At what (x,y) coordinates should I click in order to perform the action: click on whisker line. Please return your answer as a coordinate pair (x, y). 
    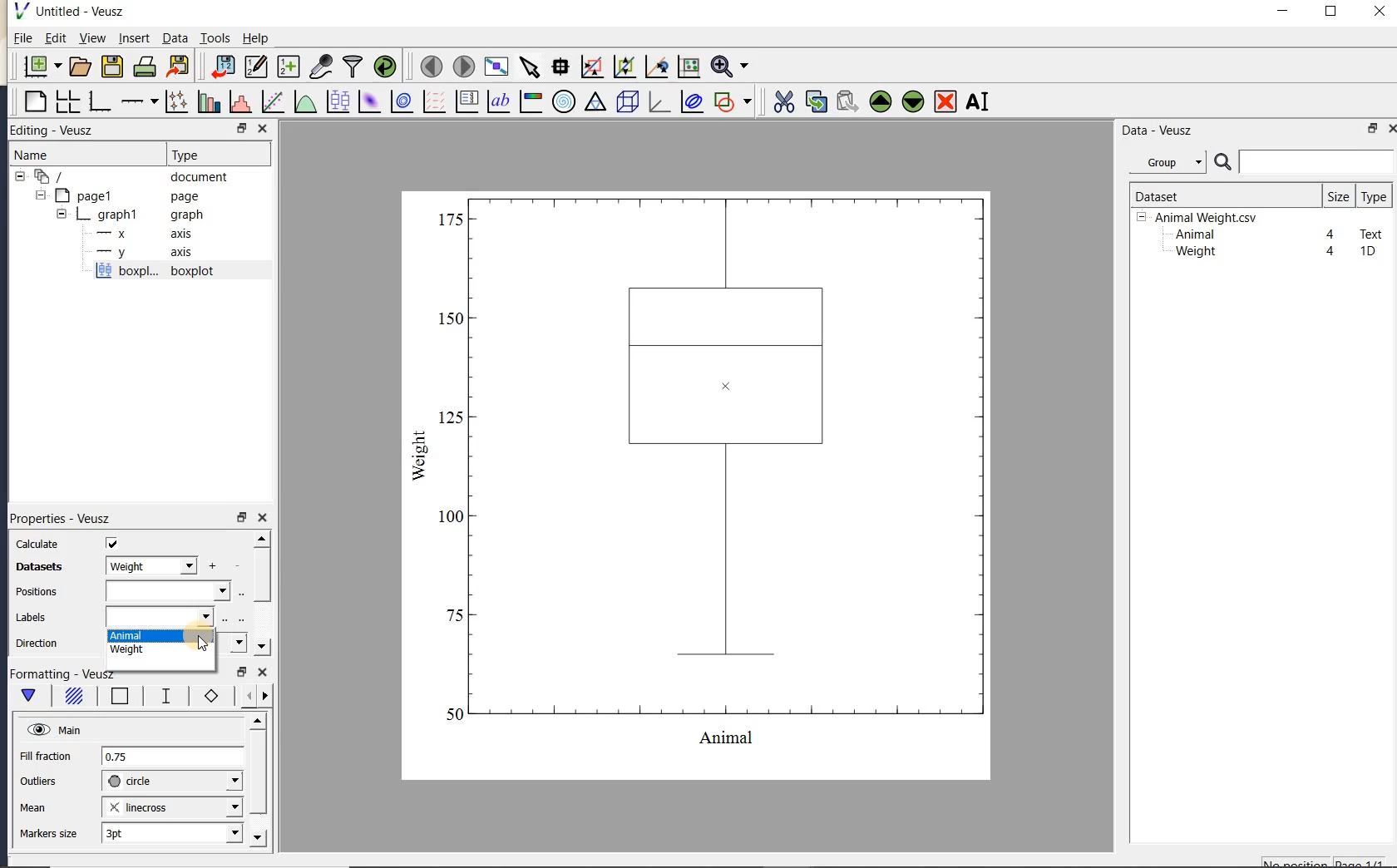
    Looking at the image, I should click on (163, 696).